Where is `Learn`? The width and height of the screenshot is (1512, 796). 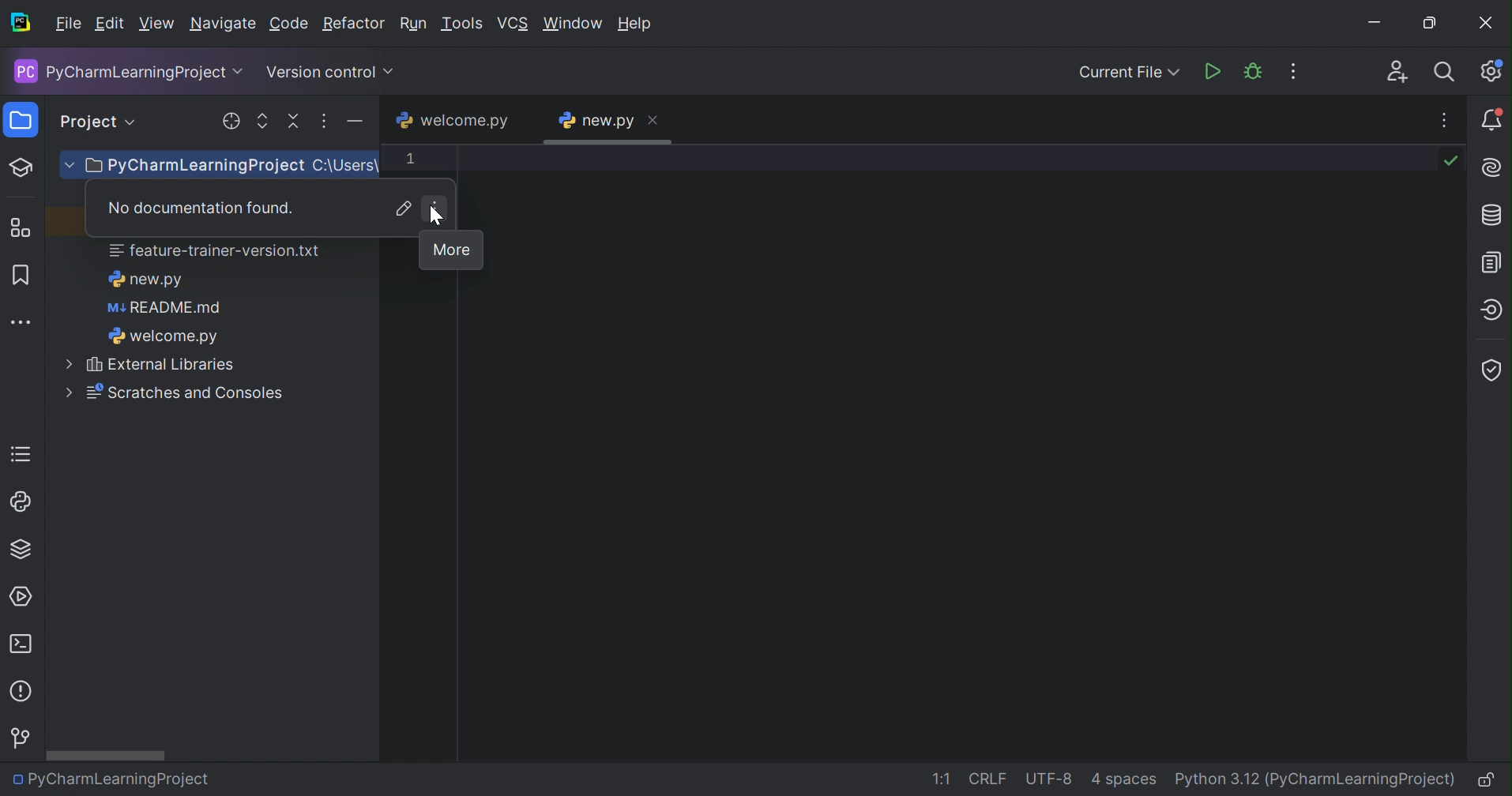 Learn is located at coordinates (22, 166).